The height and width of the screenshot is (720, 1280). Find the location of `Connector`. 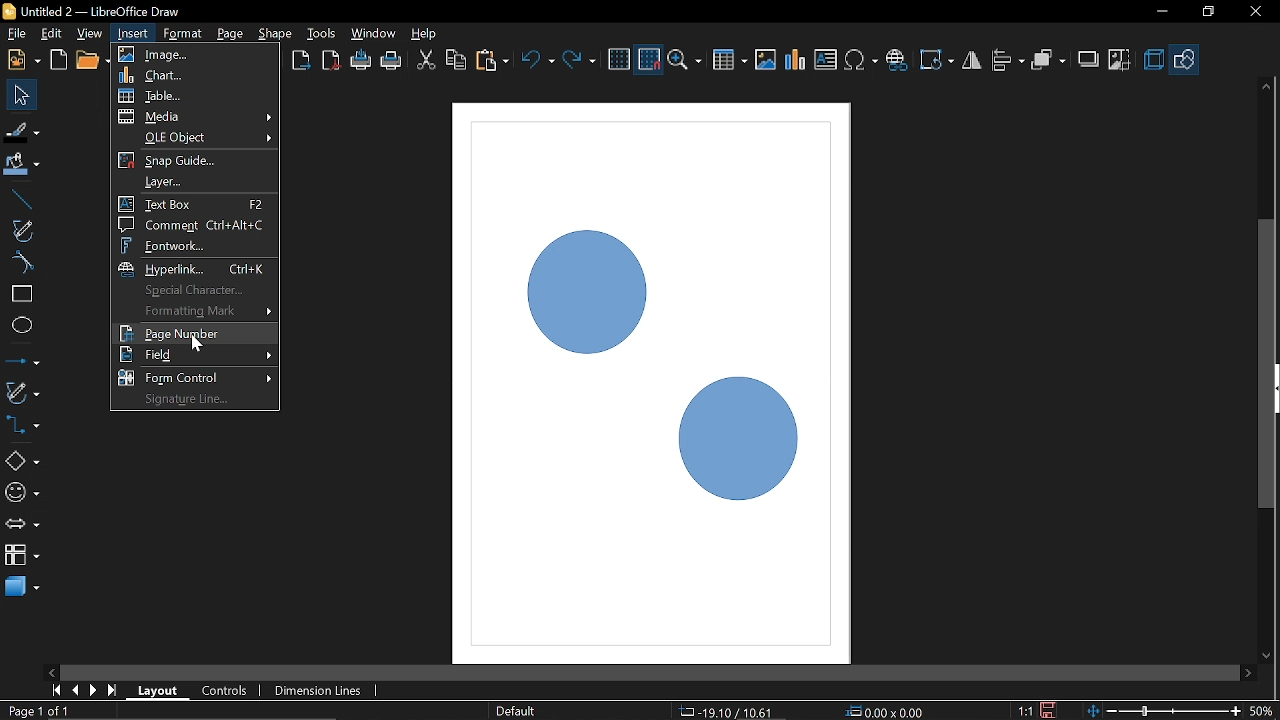

Connector is located at coordinates (22, 424).